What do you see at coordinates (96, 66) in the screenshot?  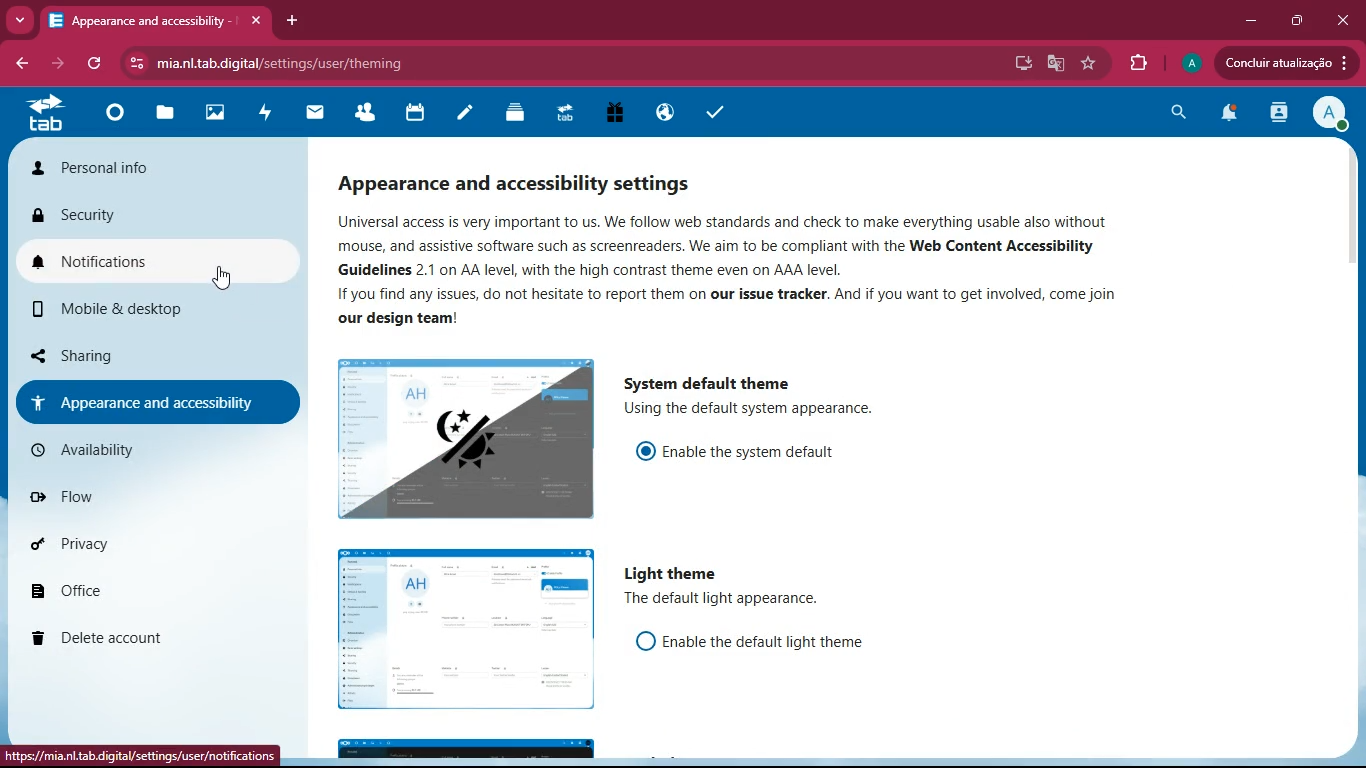 I see `refresh` at bounding box center [96, 66].